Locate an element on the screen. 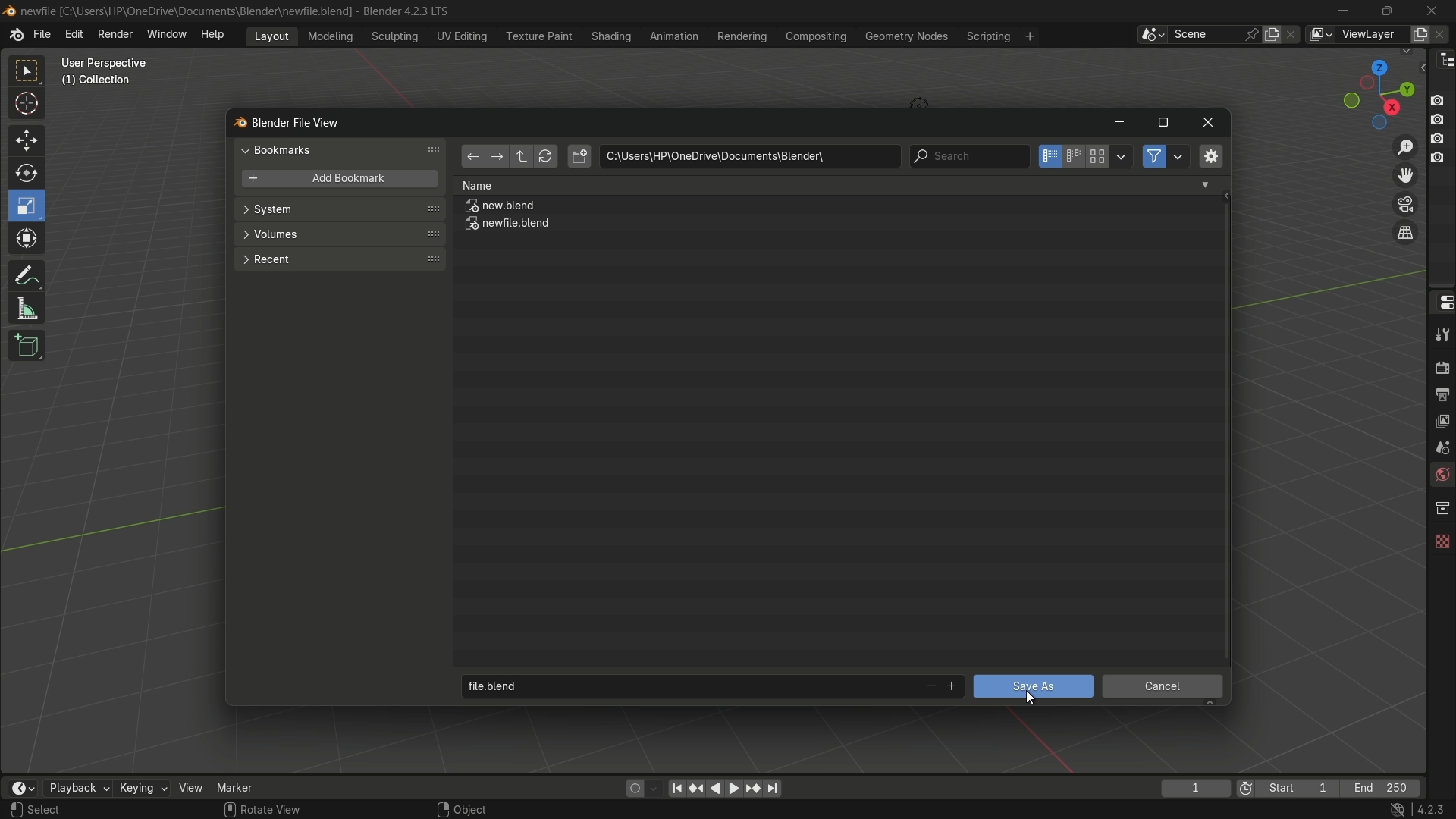 The image size is (1456, 819). render is located at coordinates (1439, 366).